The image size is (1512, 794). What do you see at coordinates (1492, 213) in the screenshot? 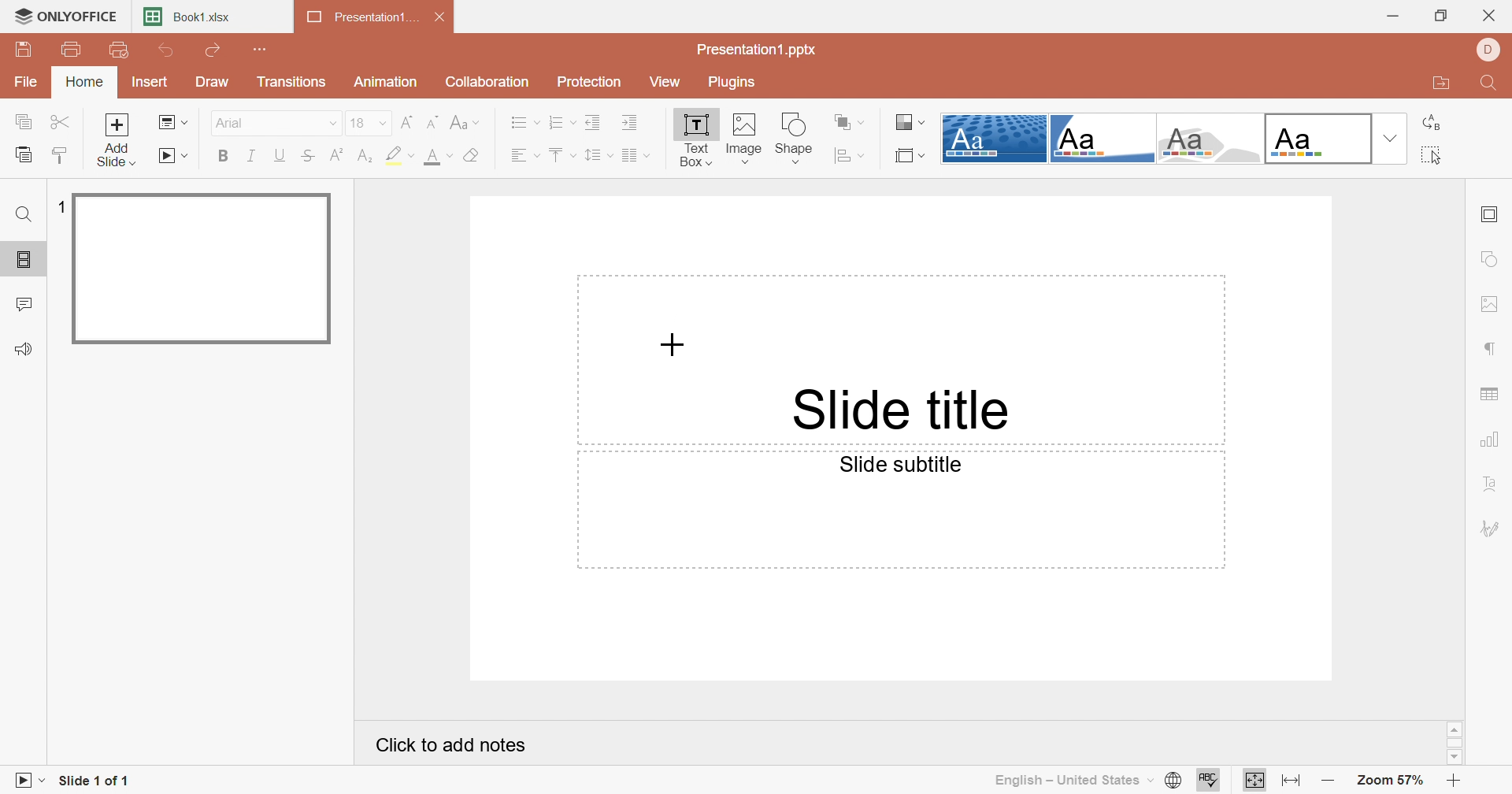
I see `Slide settings` at bounding box center [1492, 213].